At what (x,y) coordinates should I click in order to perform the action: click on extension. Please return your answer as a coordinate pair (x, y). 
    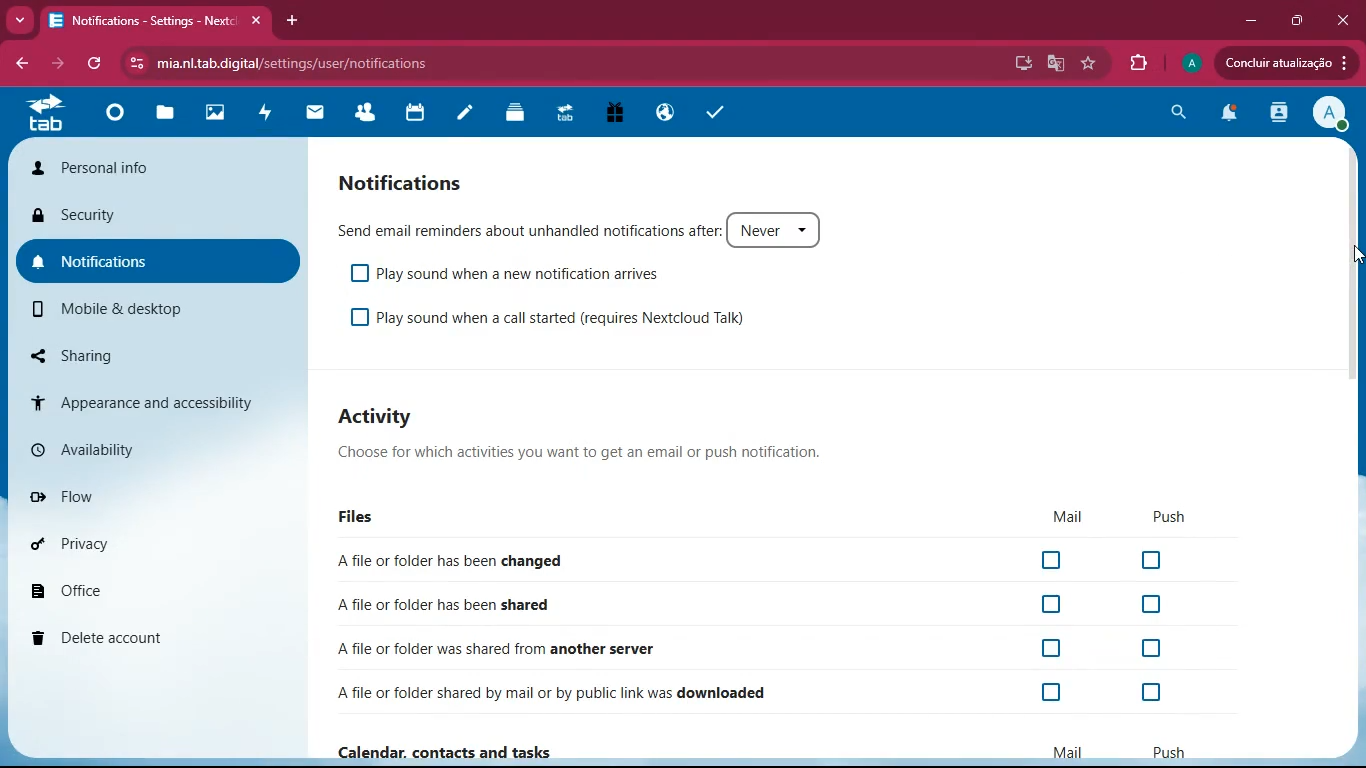
    Looking at the image, I should click on (1138, 60).